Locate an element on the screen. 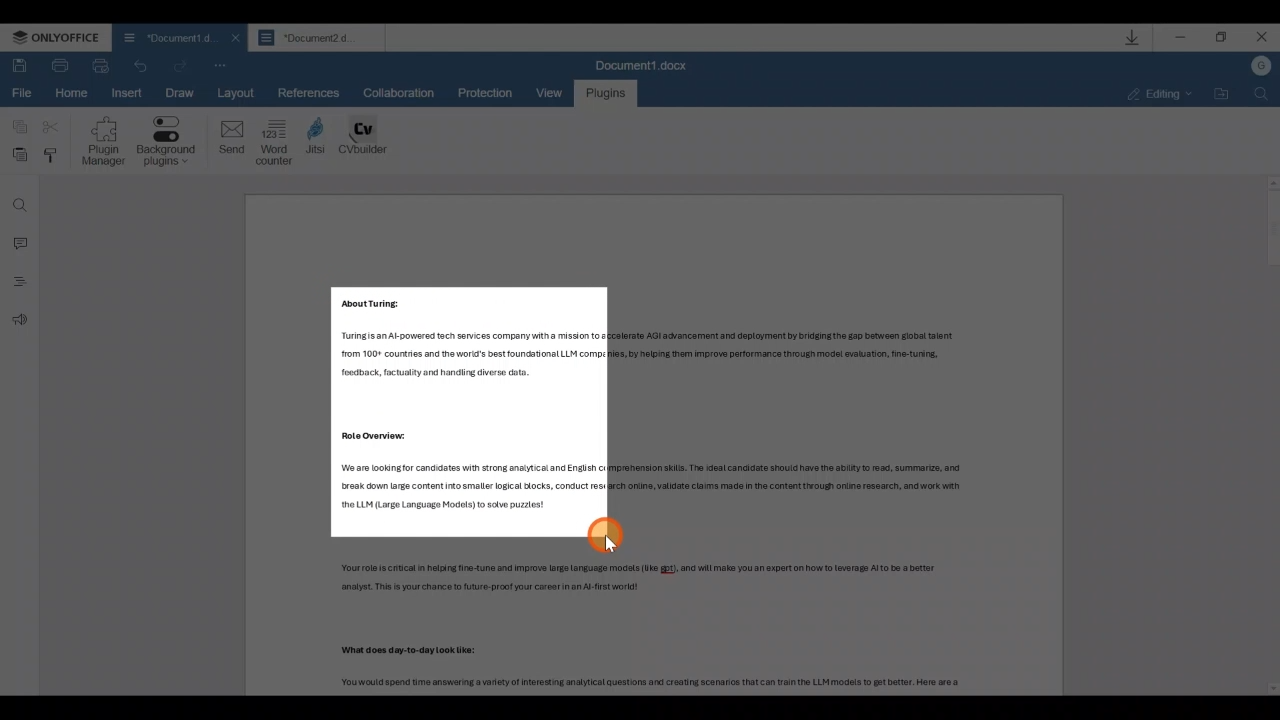  Save is located at coordinates (19, 64).